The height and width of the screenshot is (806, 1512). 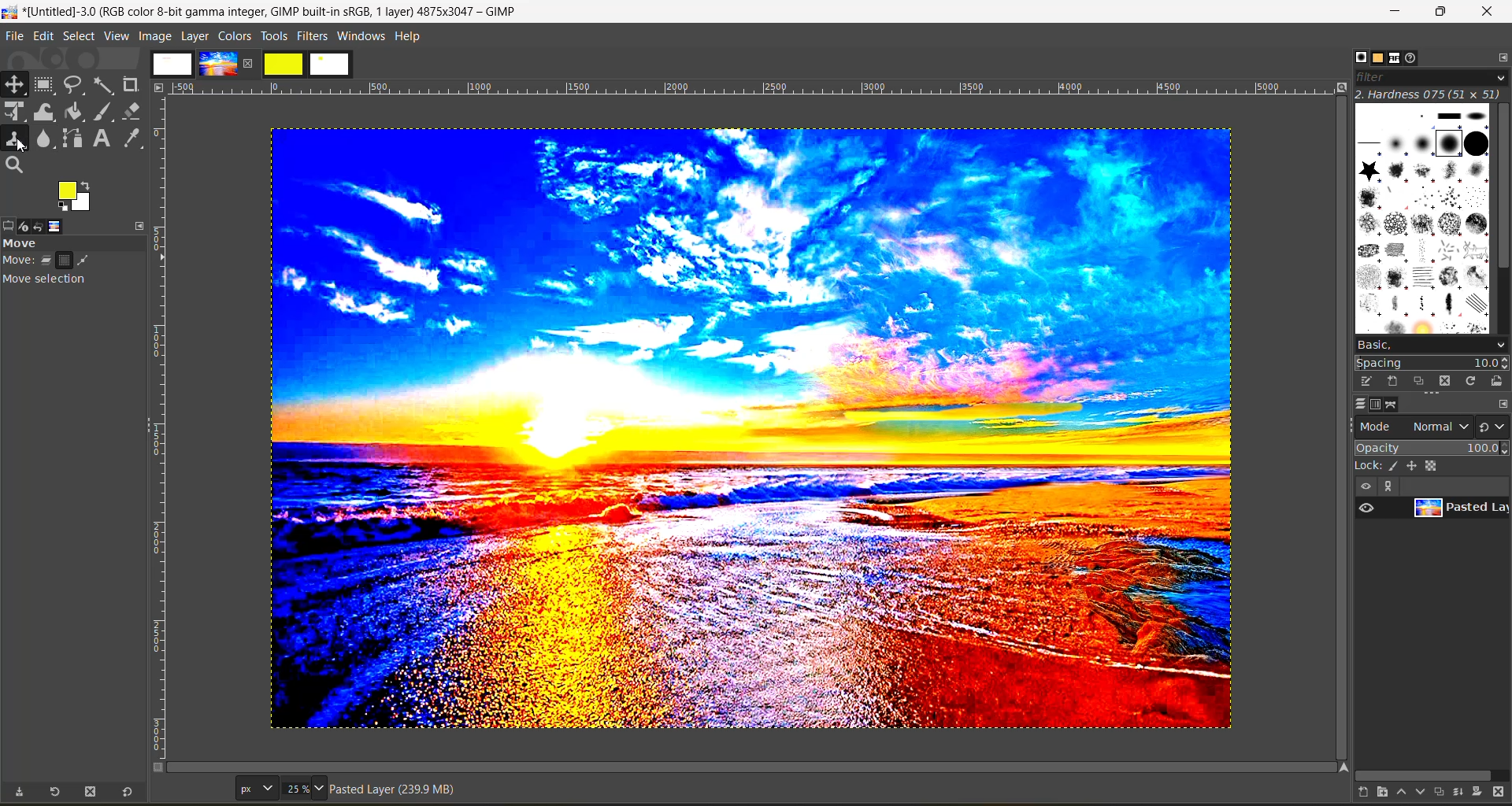 I want to click on ruler, so click(x=165, y=431).